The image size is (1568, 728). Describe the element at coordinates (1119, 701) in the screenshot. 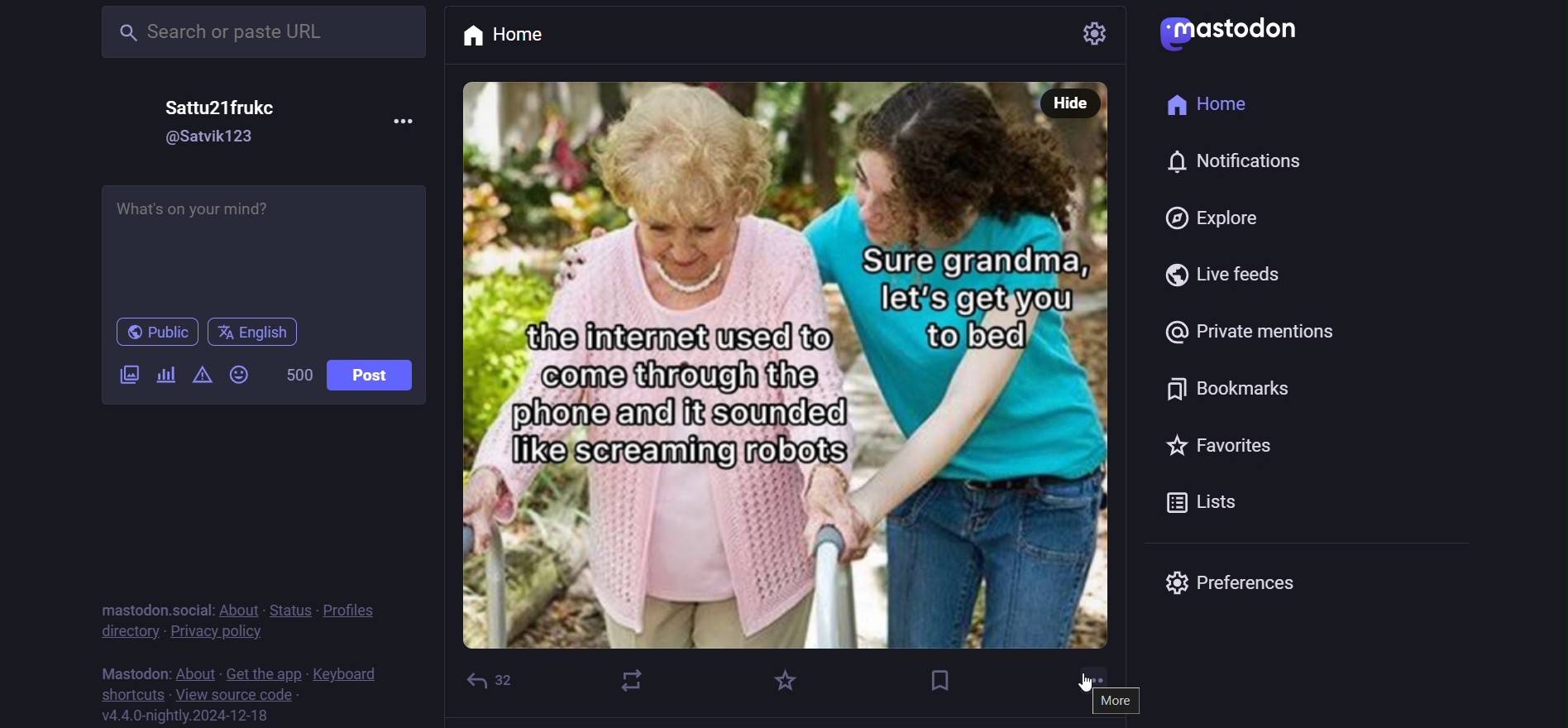

I see `more` at that location.